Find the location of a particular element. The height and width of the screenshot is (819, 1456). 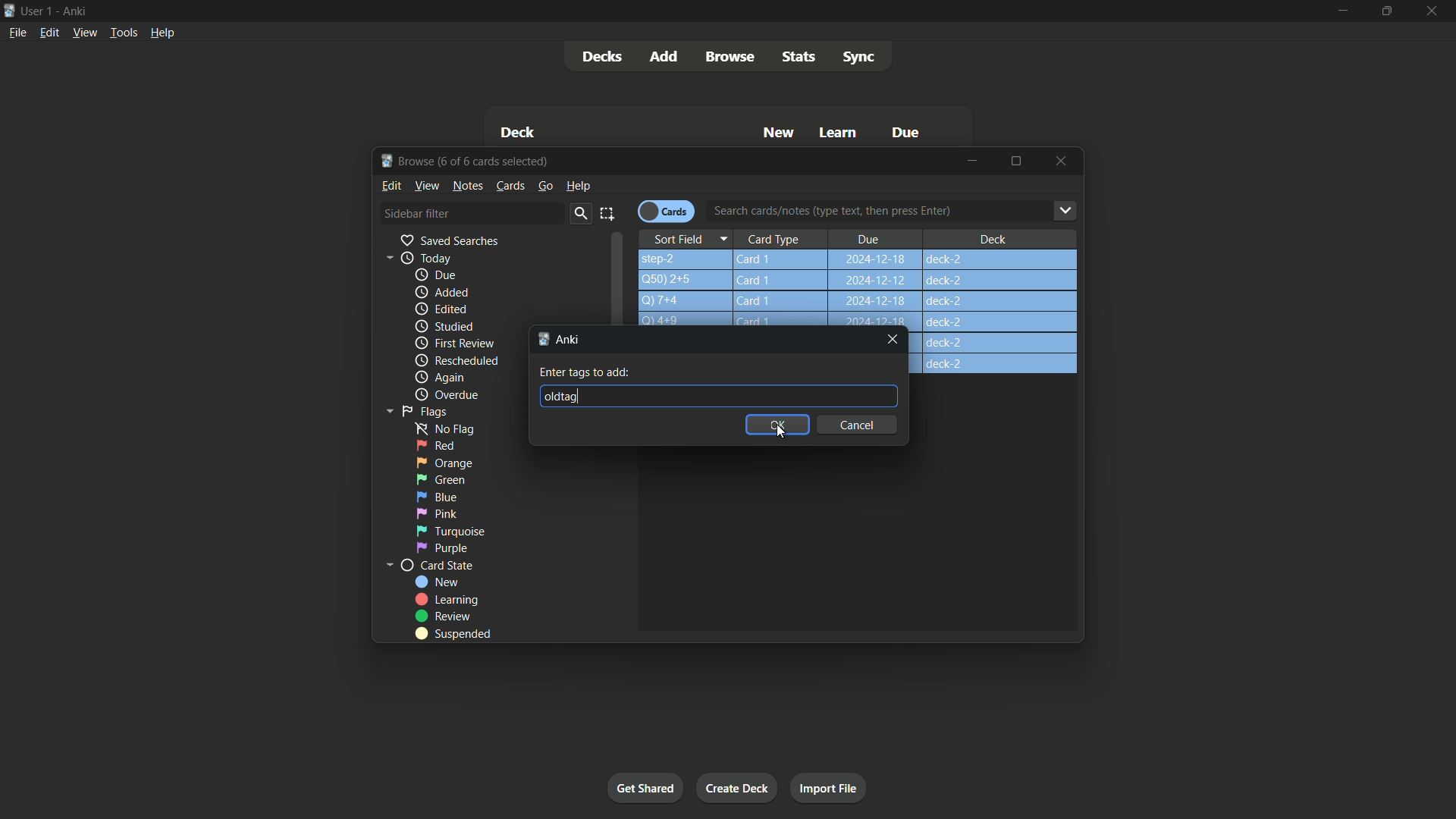

minimize is located at coordinates (1340, 11).